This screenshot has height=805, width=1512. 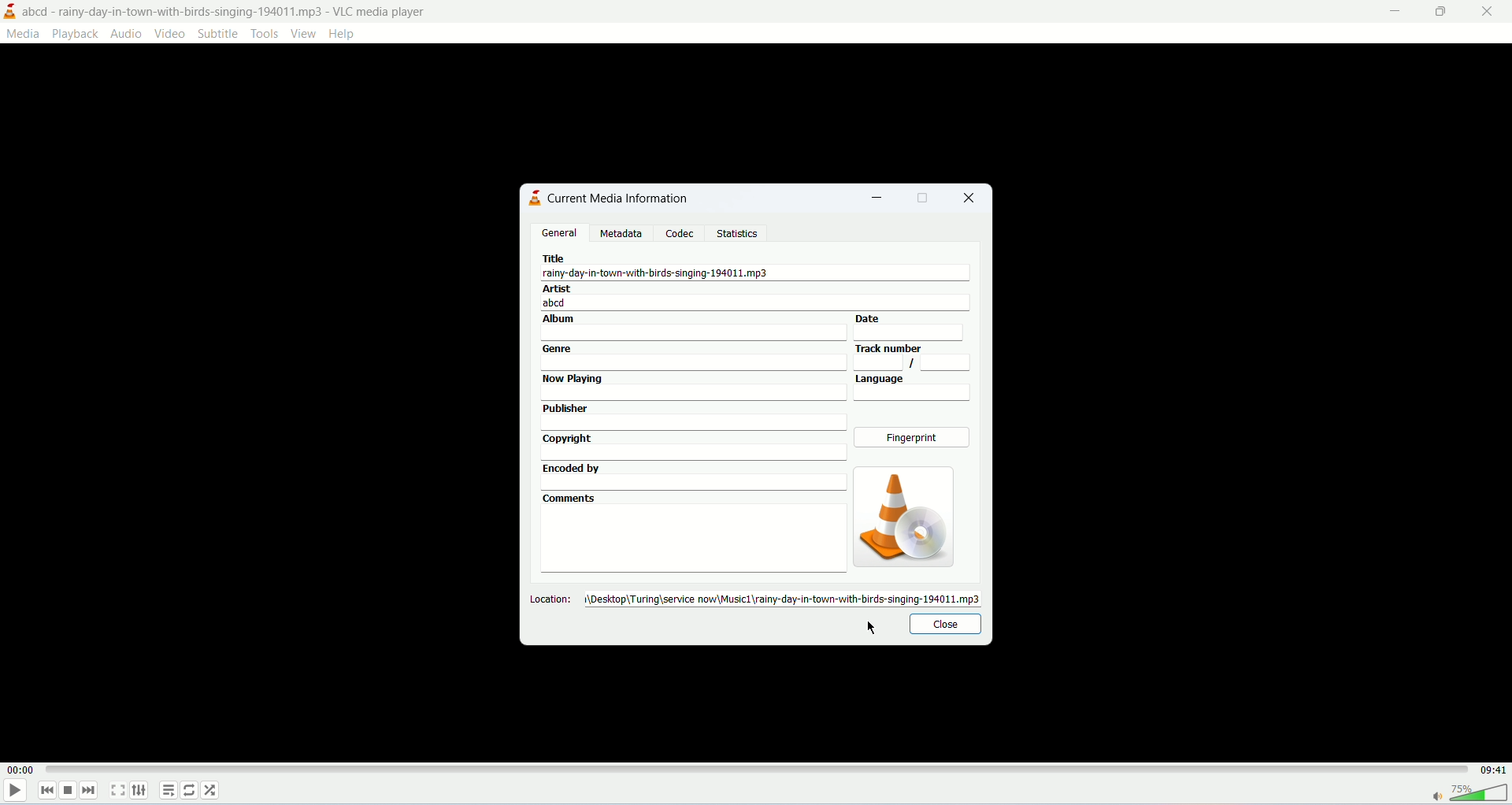 I want to click on extended settings, so click(x=143, y=790).